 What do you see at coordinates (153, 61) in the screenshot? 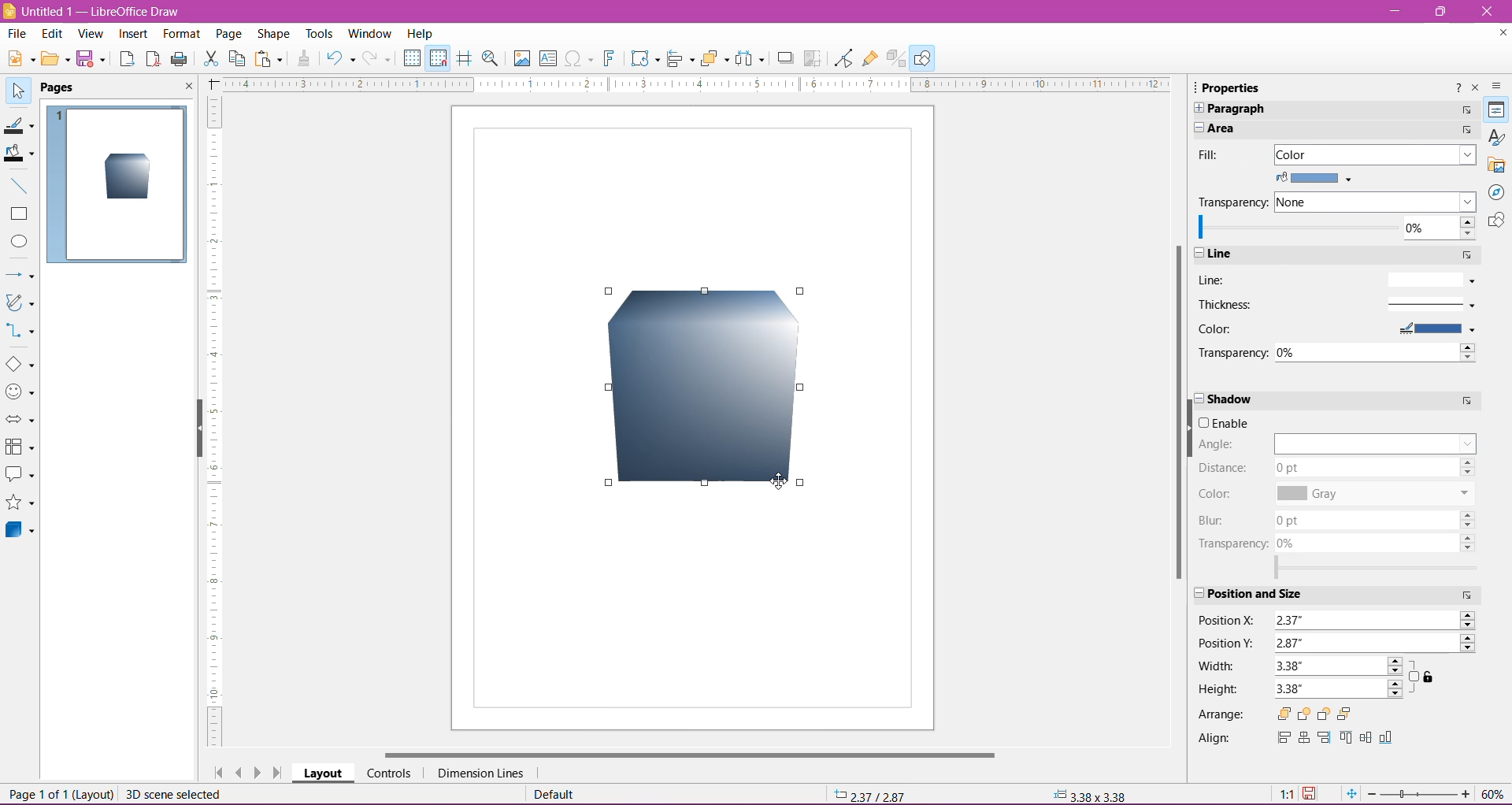
I see `Export as PDF` at bounding box center [153, 61].